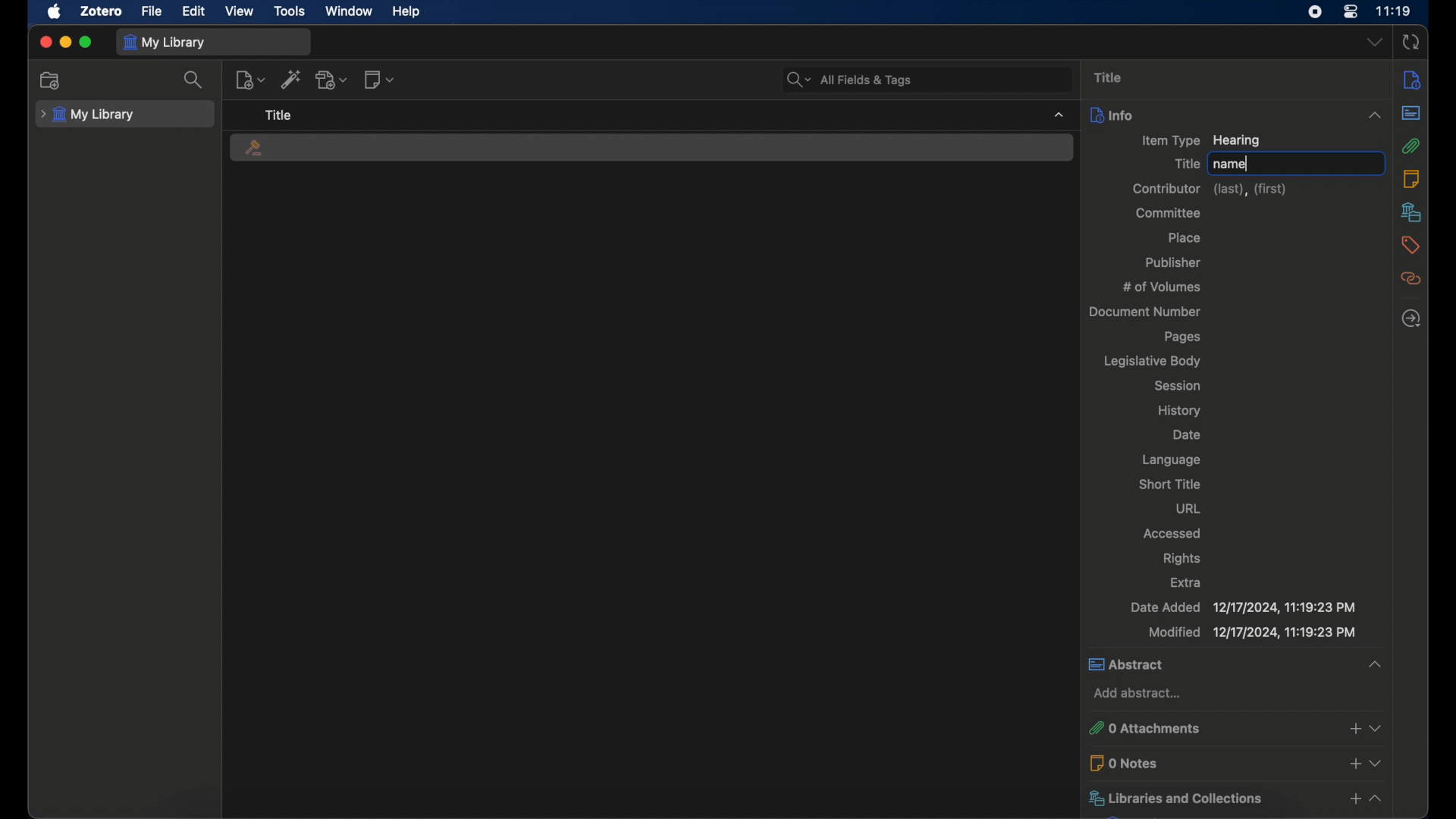 The width and height of the screenshot is (1456, 819). I want to click on accessed, so click(1174, 532).